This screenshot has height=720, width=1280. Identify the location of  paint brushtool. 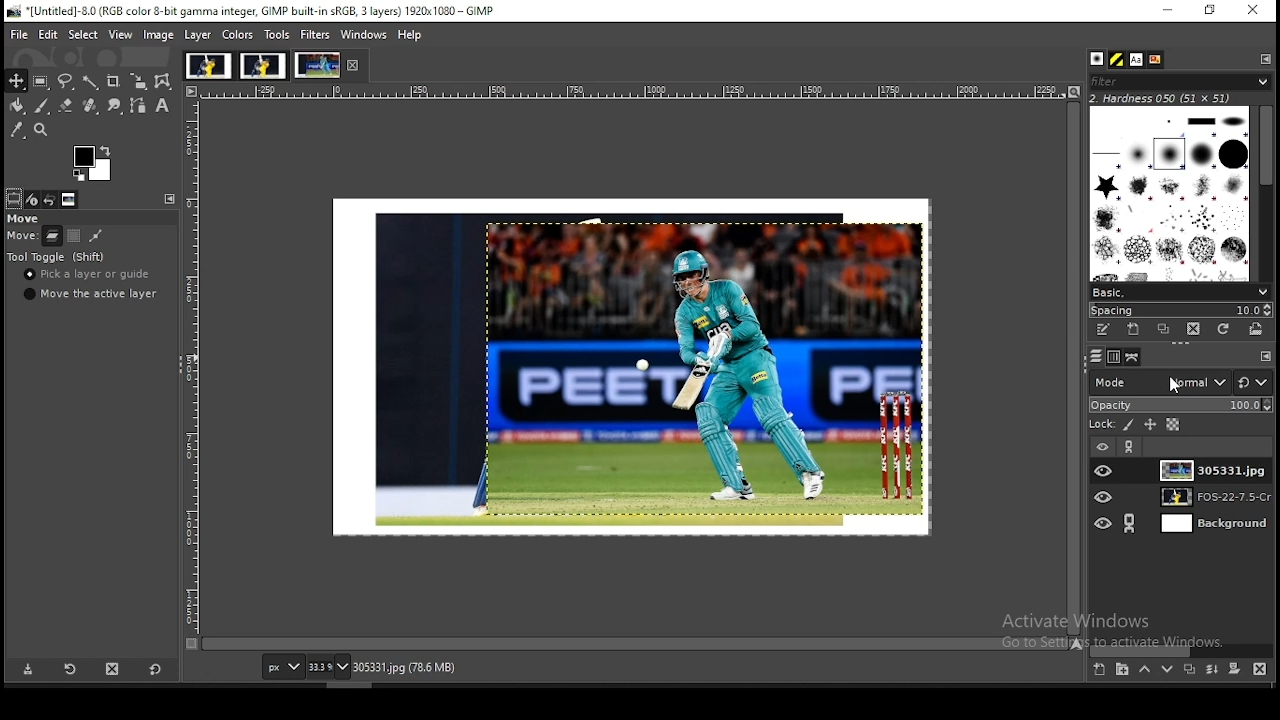
(42, 105).